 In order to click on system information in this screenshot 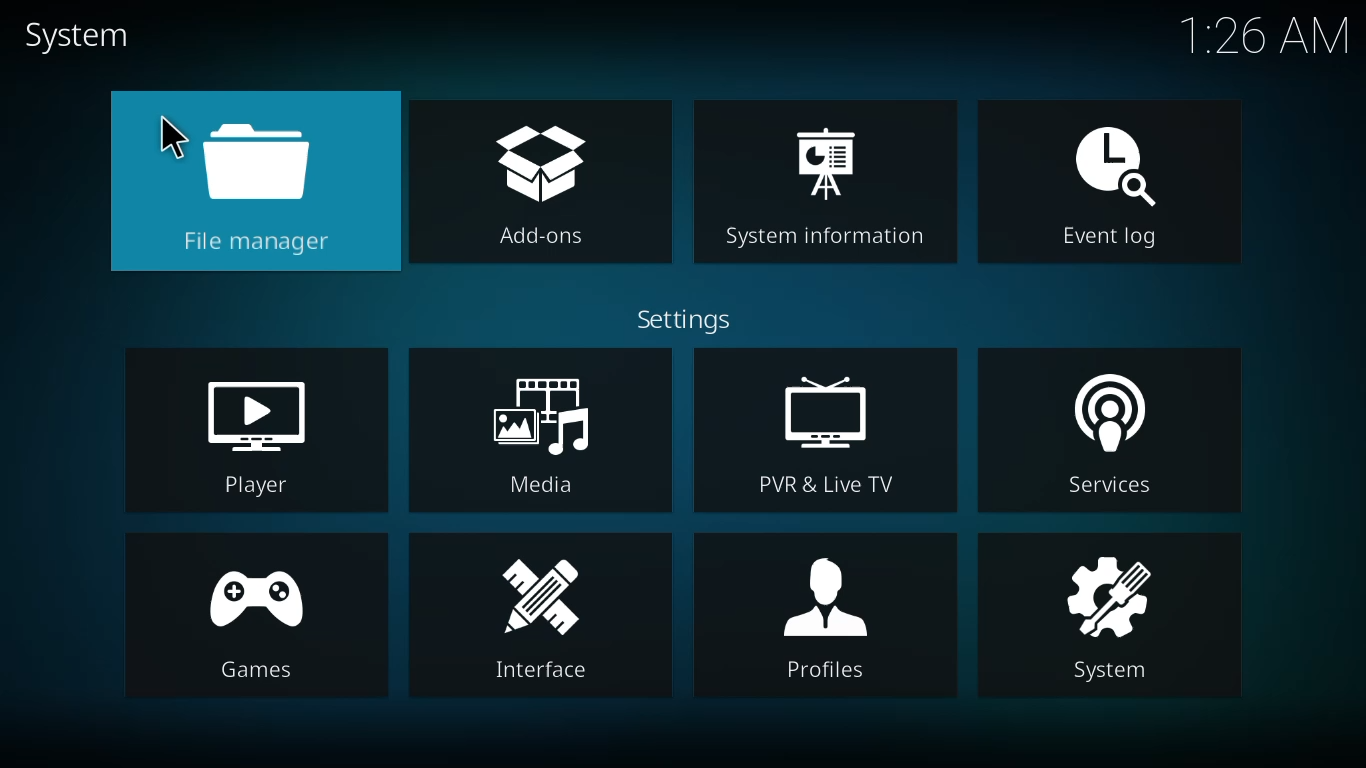, I will do `click(823, 186)`.